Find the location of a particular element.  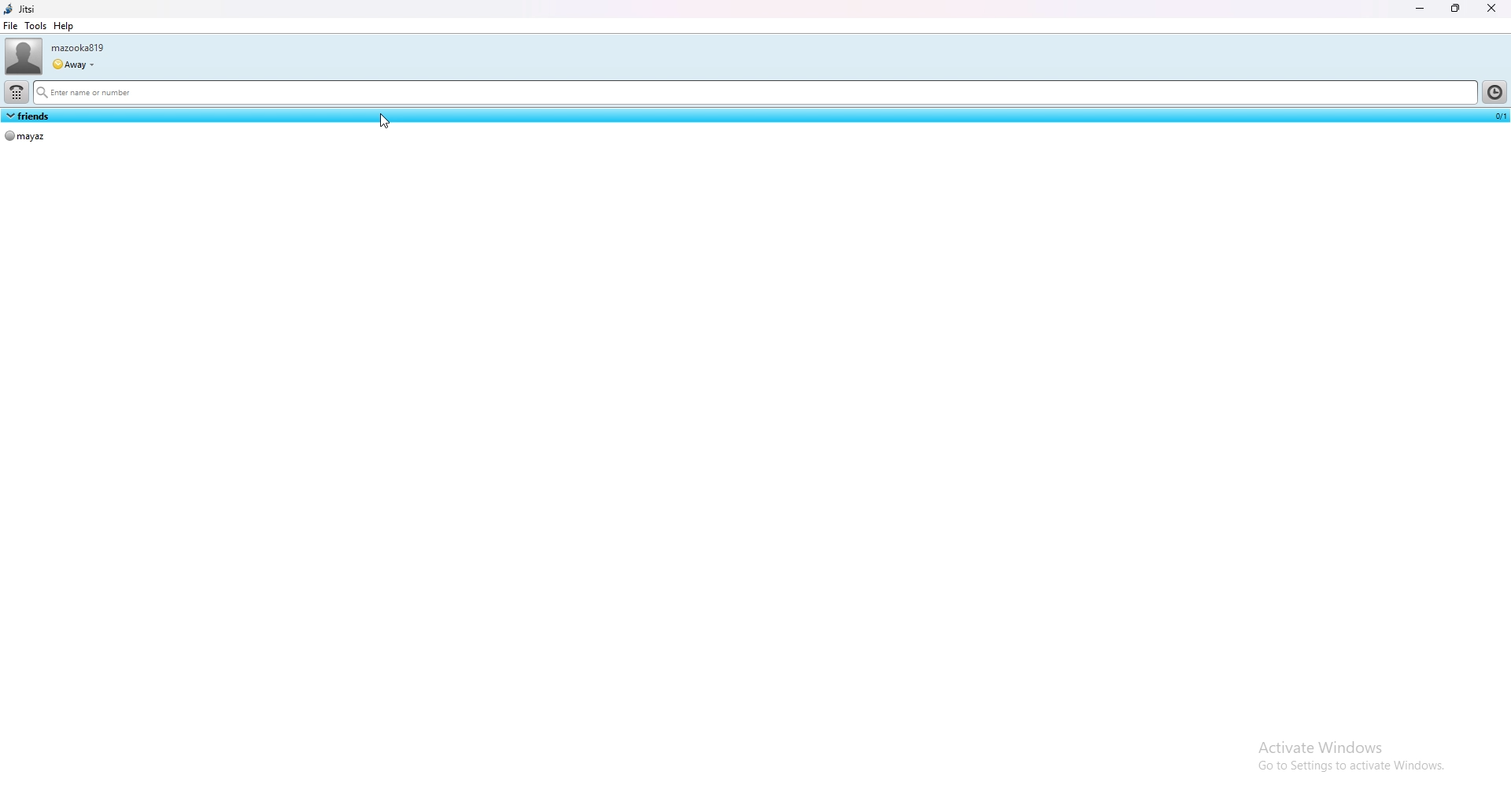

username is located at coordinates (78, 48).